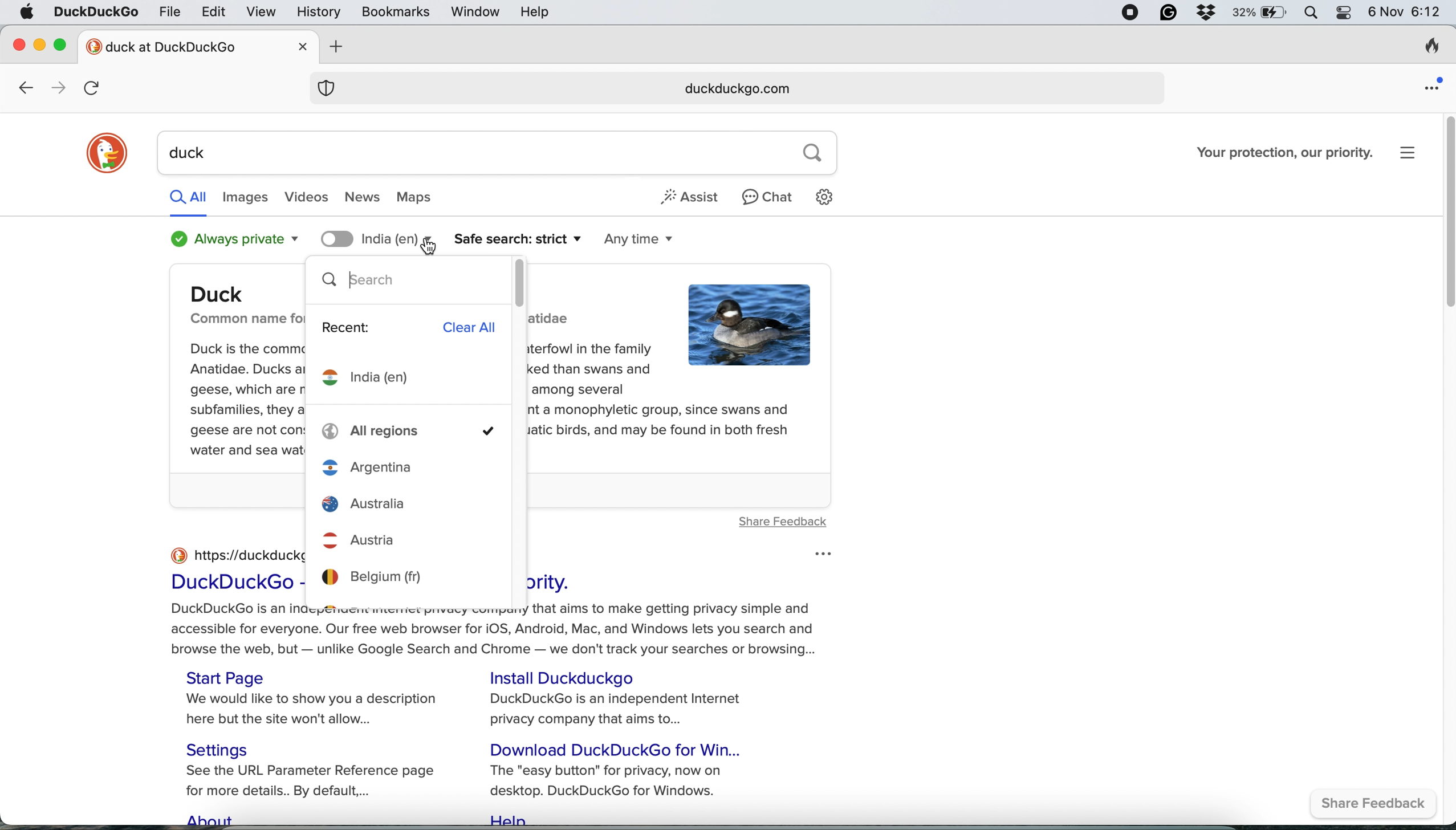 Image resolution: width=1456 pixels, height=830 pixels. Describe the element at coordinates (1444, 214) in the screenshot. I see `vertical scroll bar` at that location.